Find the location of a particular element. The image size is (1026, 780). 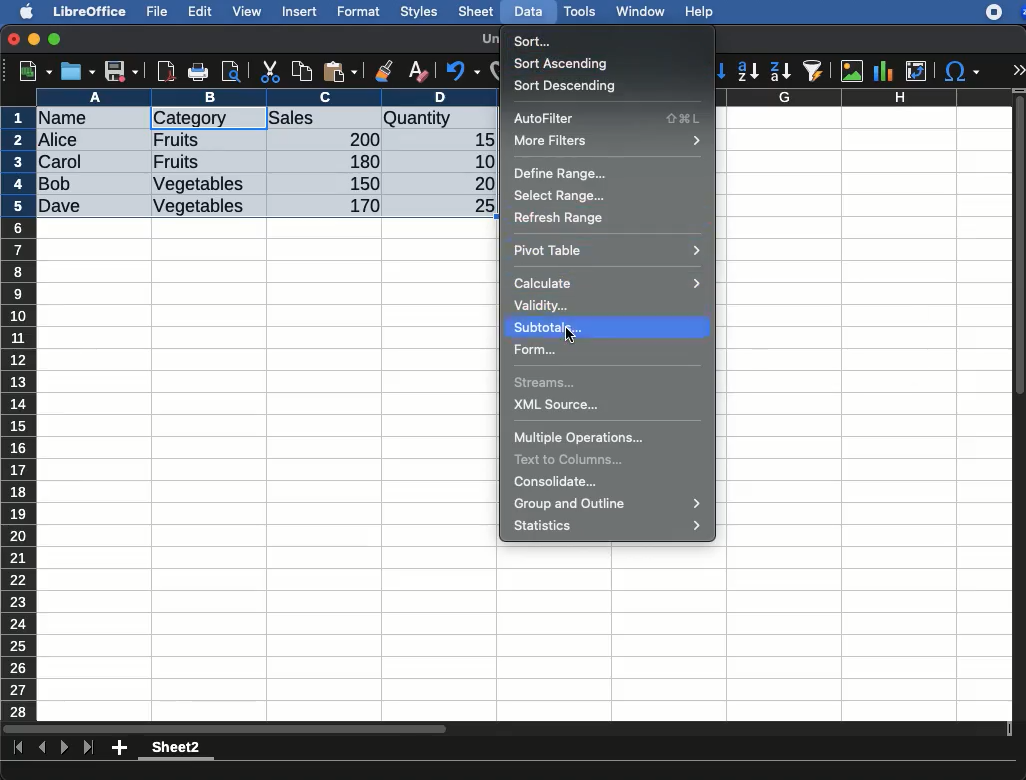

20 is located at coordinates (477, 183).